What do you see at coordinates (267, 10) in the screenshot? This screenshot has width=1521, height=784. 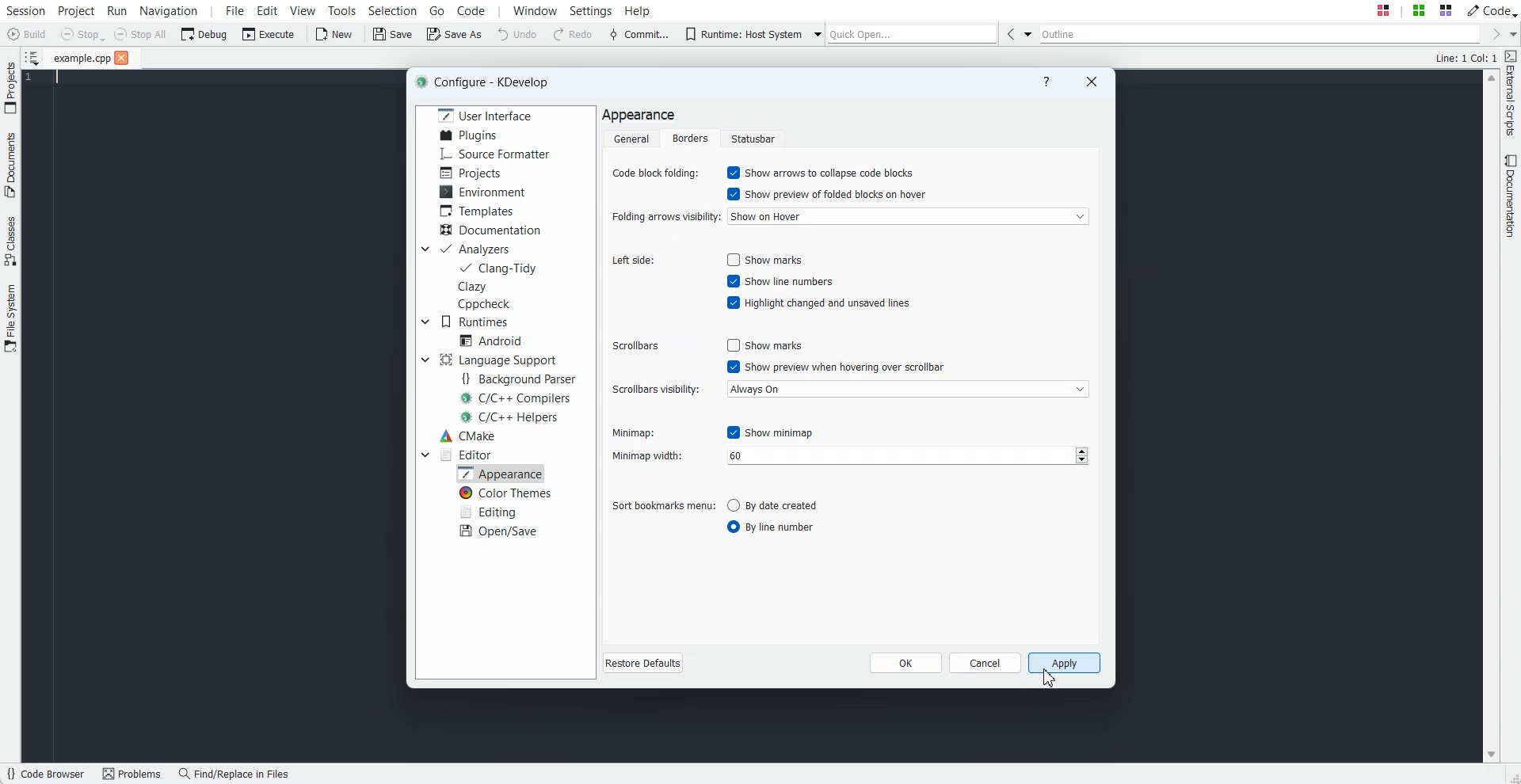 I see `Edit` at bounding box center [267, 10].